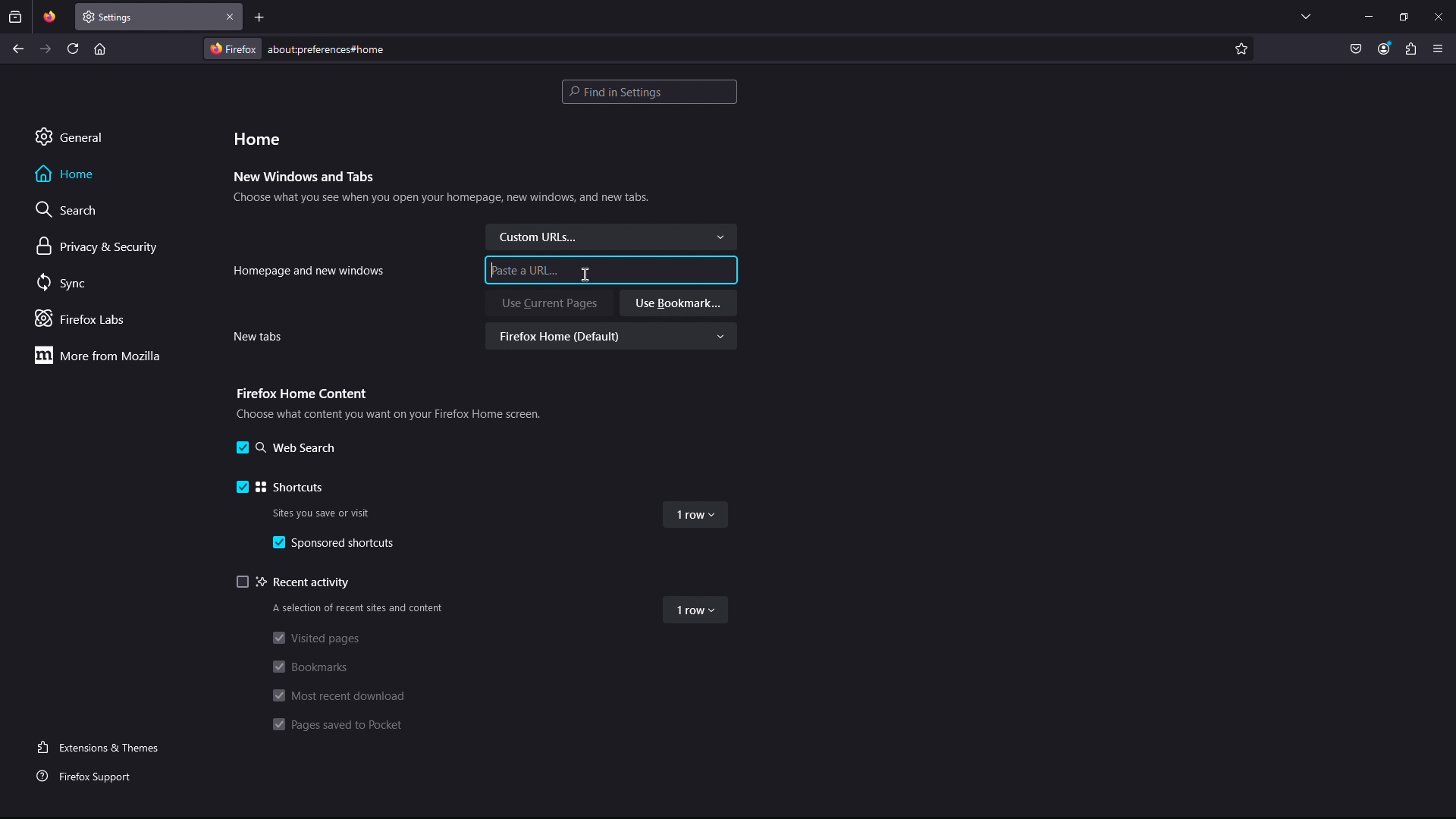 The height and width of the screenshot is (819, 1456). I want to click on Account, so click(1384, 50).